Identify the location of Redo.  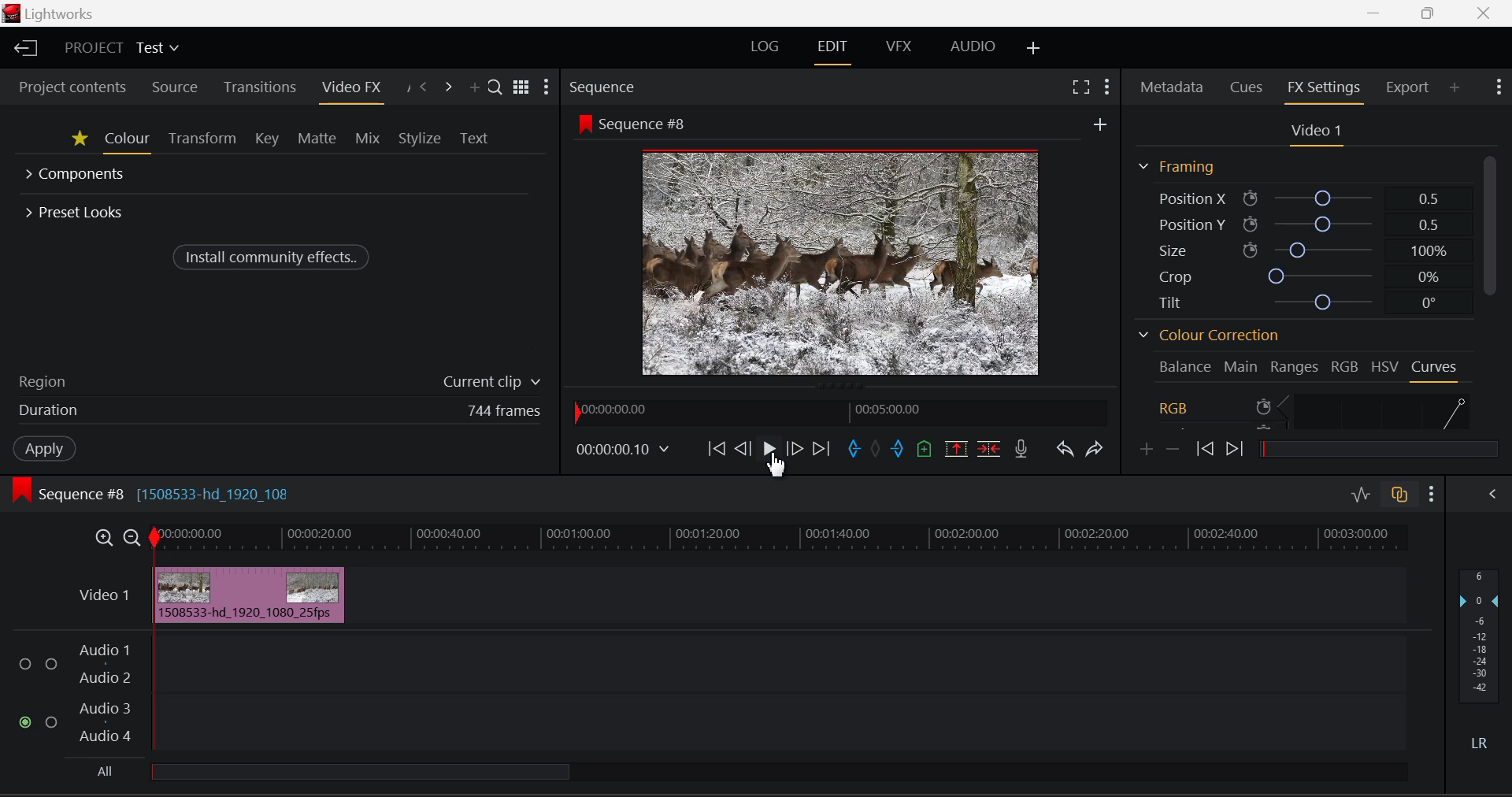
(1092, 449).